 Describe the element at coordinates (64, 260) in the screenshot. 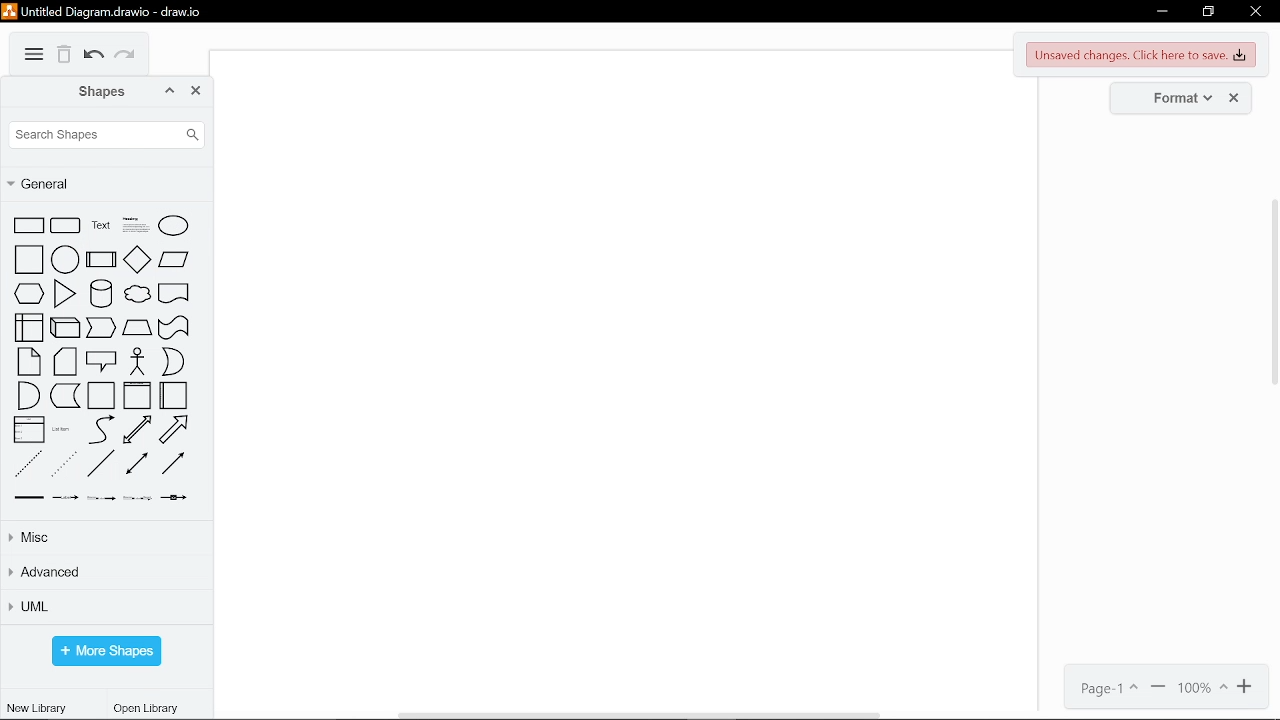

I see `circle` at that location.